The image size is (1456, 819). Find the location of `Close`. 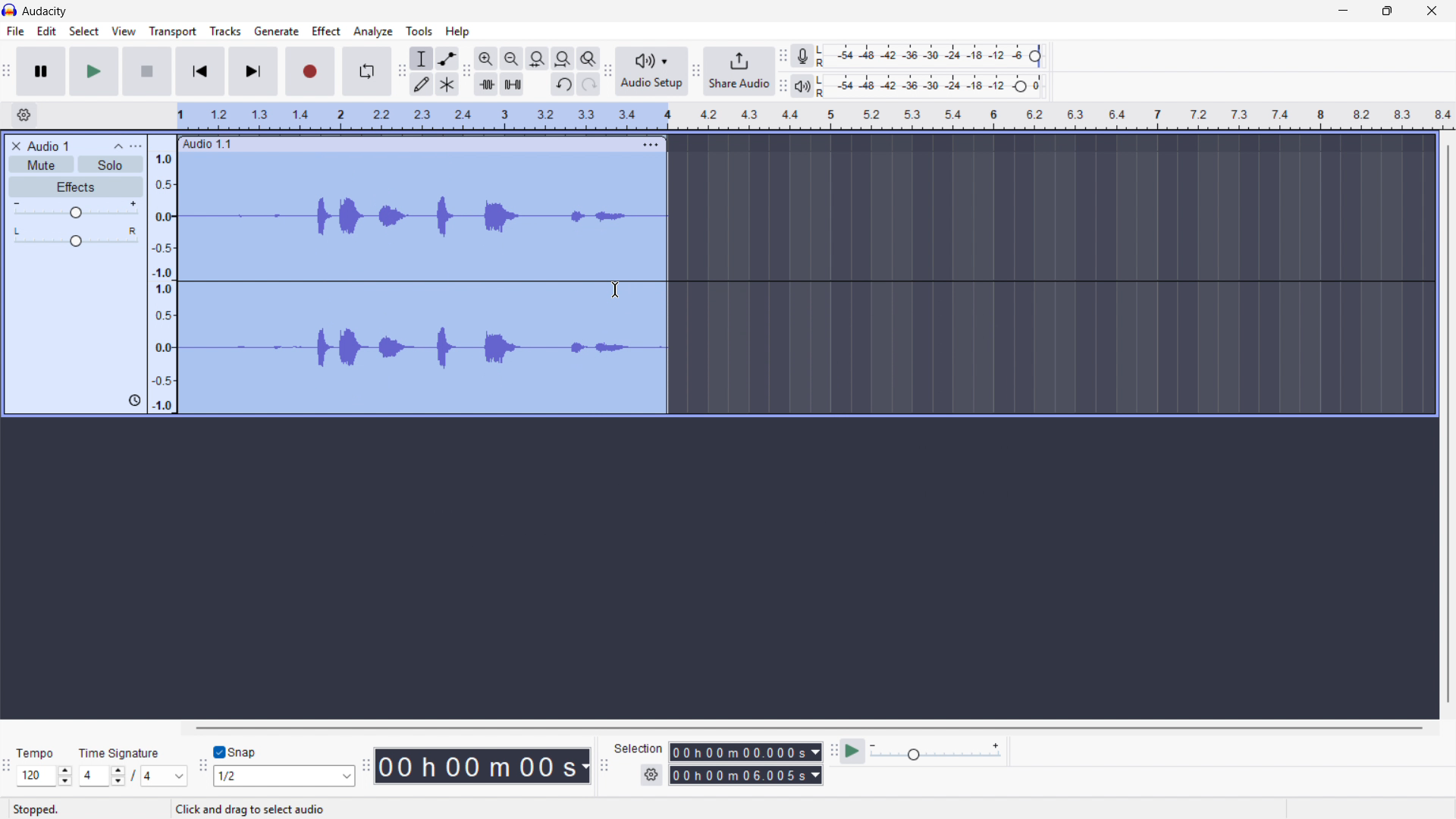

Close is located at coordinates (1432, 11).